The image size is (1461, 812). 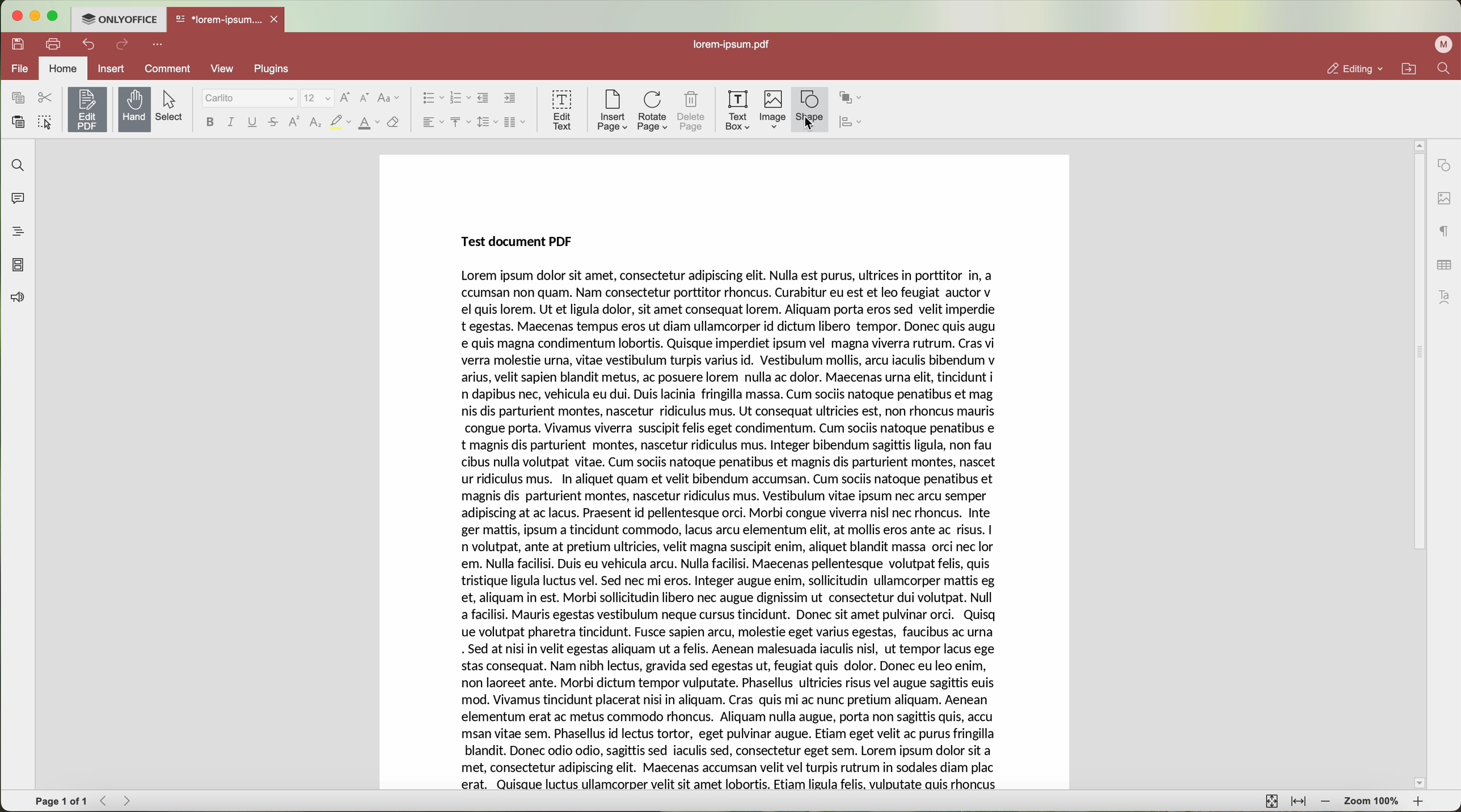 What do you see at coordinates (19, 122) in the screenshot?
I see `paste` at bounding box center [19, 122].